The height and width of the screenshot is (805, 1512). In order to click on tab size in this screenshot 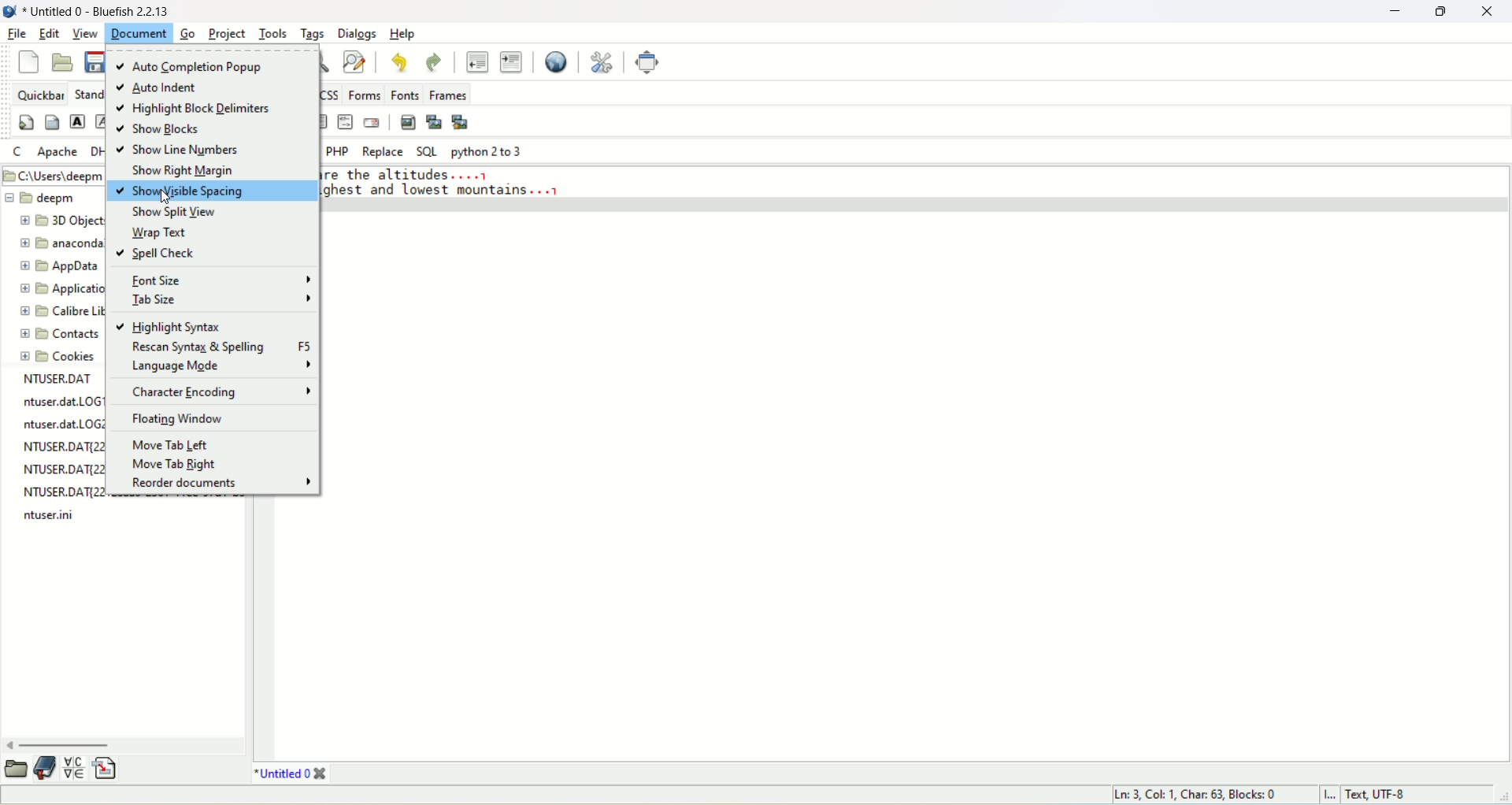, I will do `click(224, 299)`.